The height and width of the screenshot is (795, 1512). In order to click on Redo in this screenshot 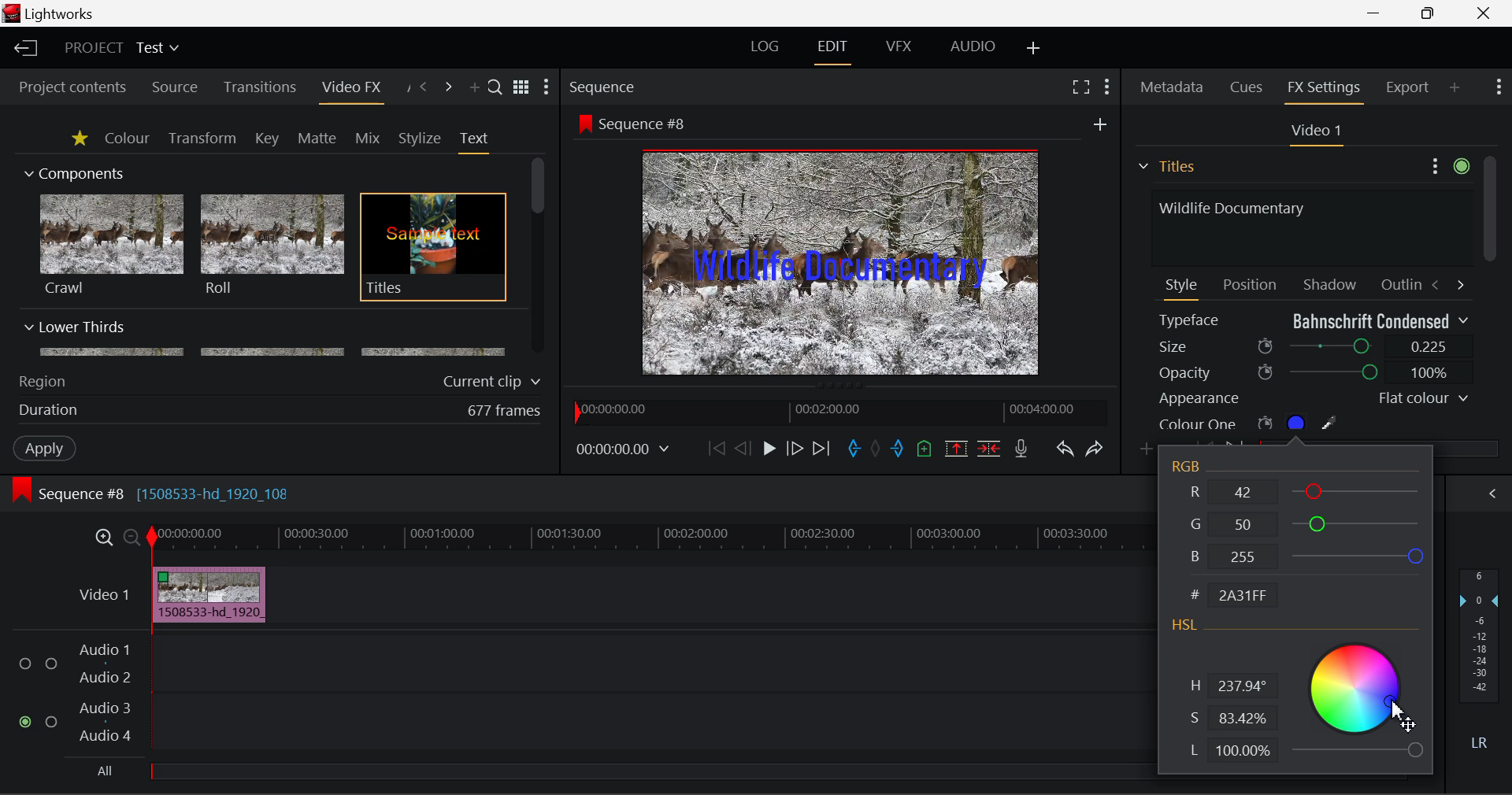, I will do `click(1096, 449)`.